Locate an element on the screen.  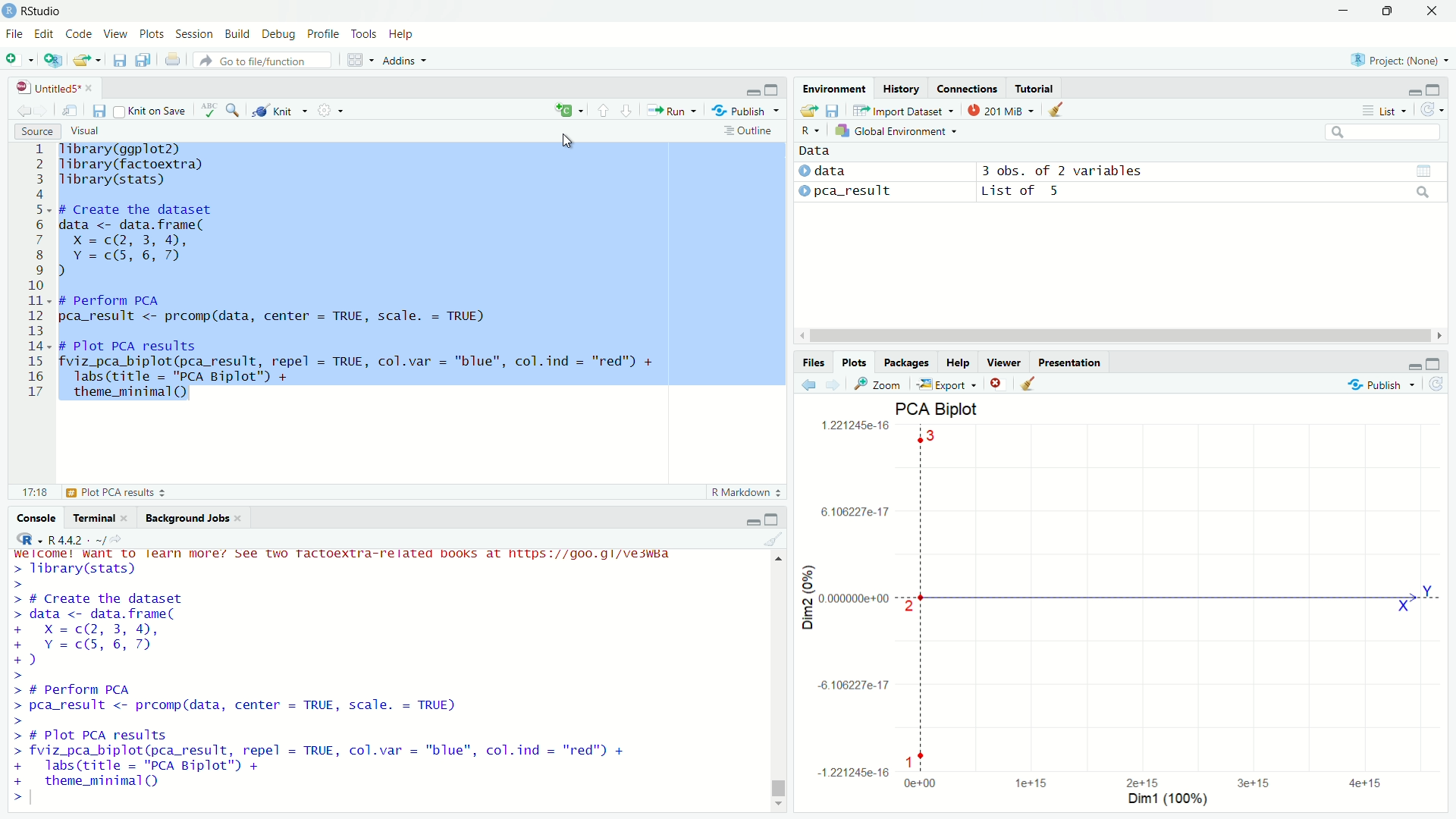
selected project: None is located at coordinates (1395, 59).